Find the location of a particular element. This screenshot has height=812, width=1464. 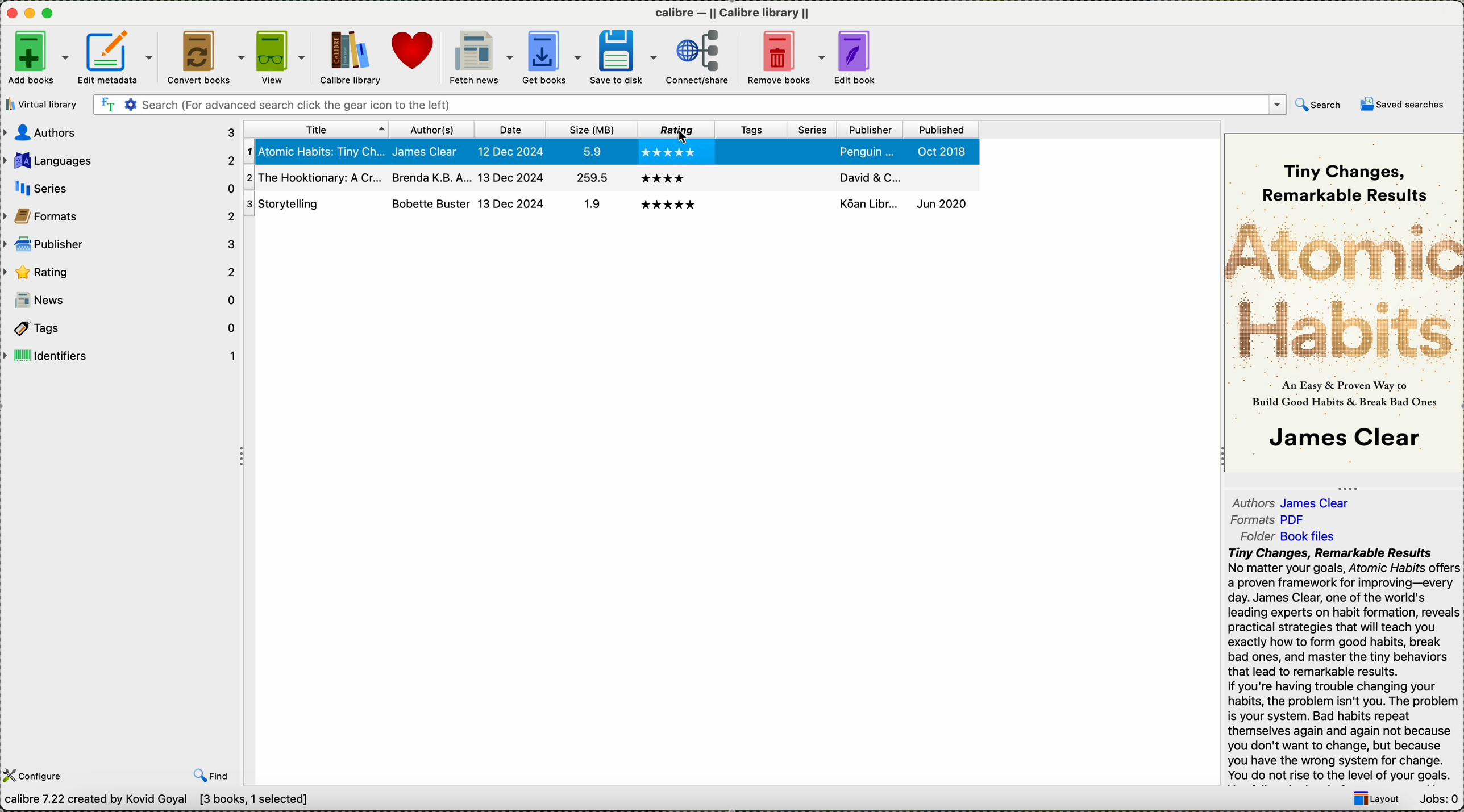

Collapse is located at coordinates (1218, 458).